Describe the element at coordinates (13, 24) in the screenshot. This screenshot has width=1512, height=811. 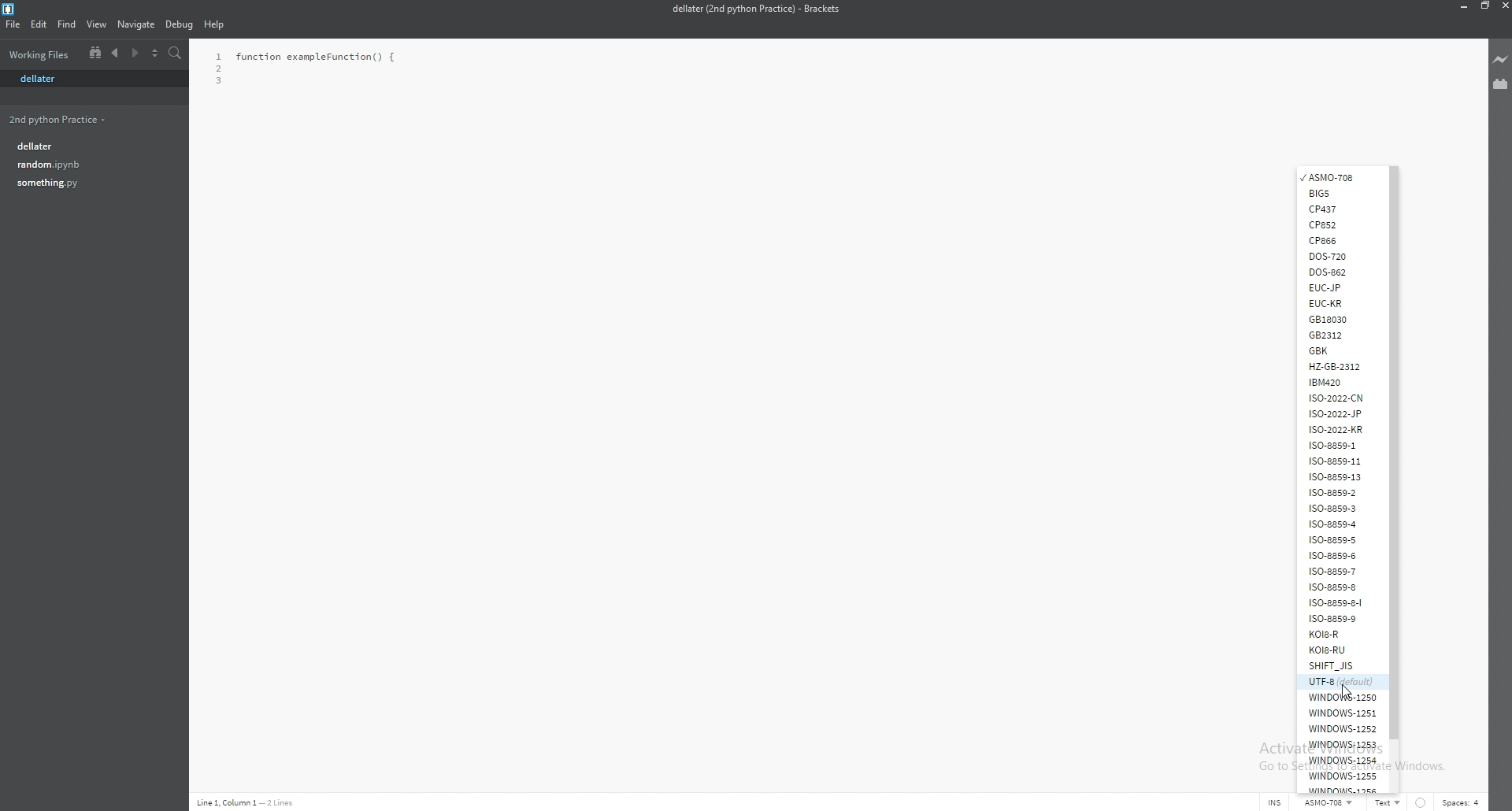
I see `file` at that location.